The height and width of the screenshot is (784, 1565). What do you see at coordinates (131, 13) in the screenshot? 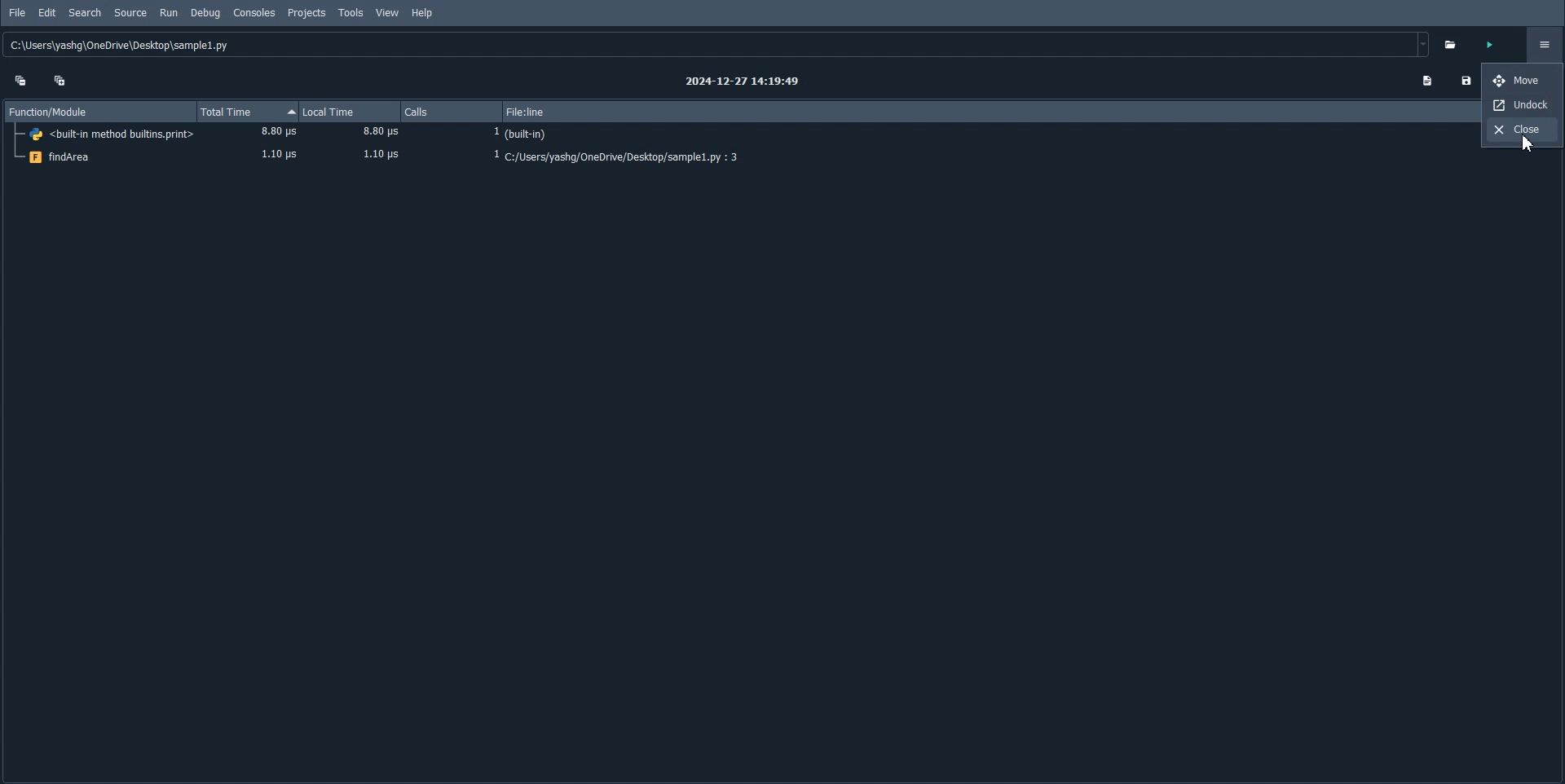
I see `Source` at bounding box center [131, 13].